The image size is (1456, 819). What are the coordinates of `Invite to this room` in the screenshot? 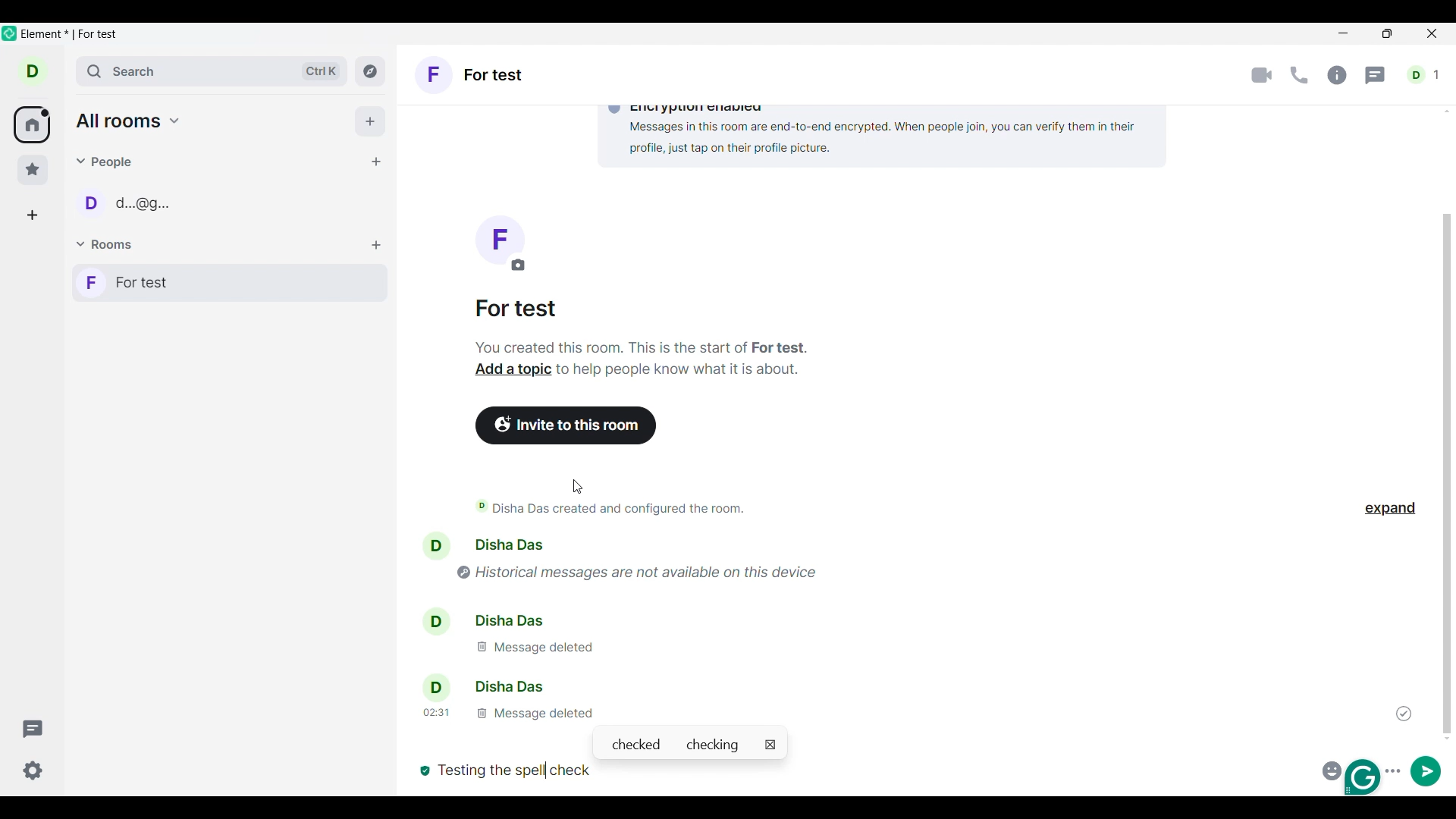 It's located at (567, 425).